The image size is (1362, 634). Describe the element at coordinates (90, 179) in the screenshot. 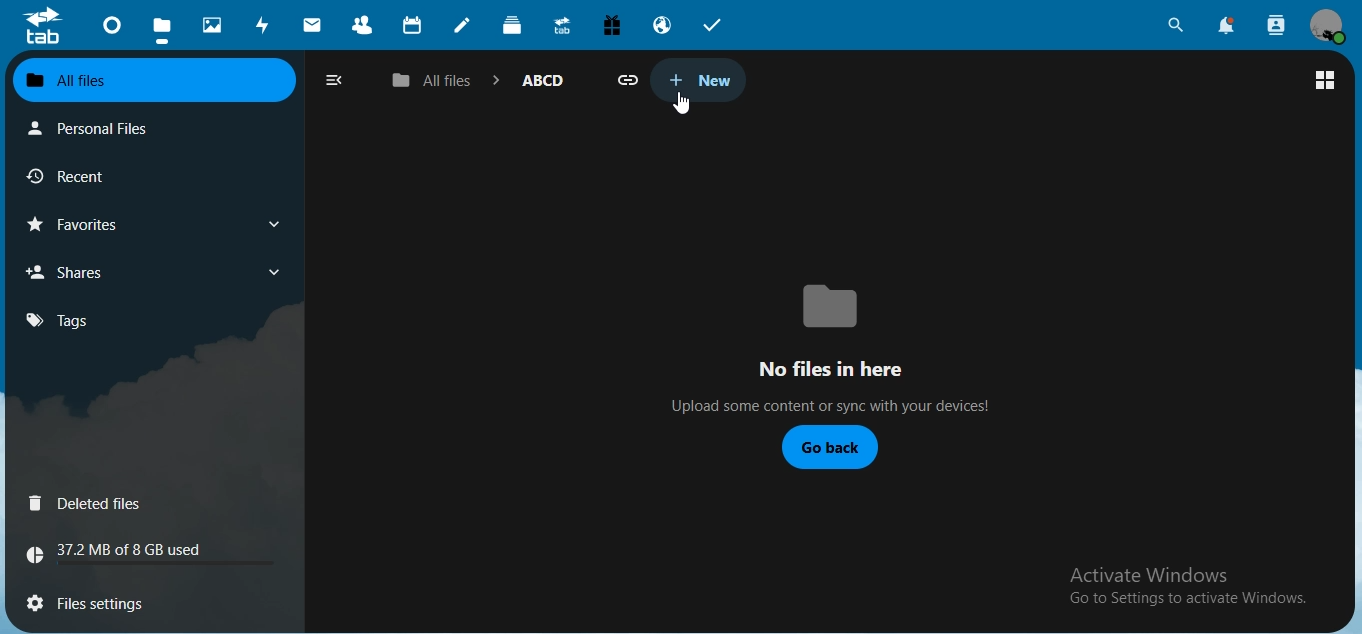

I see `reccent` at that location.